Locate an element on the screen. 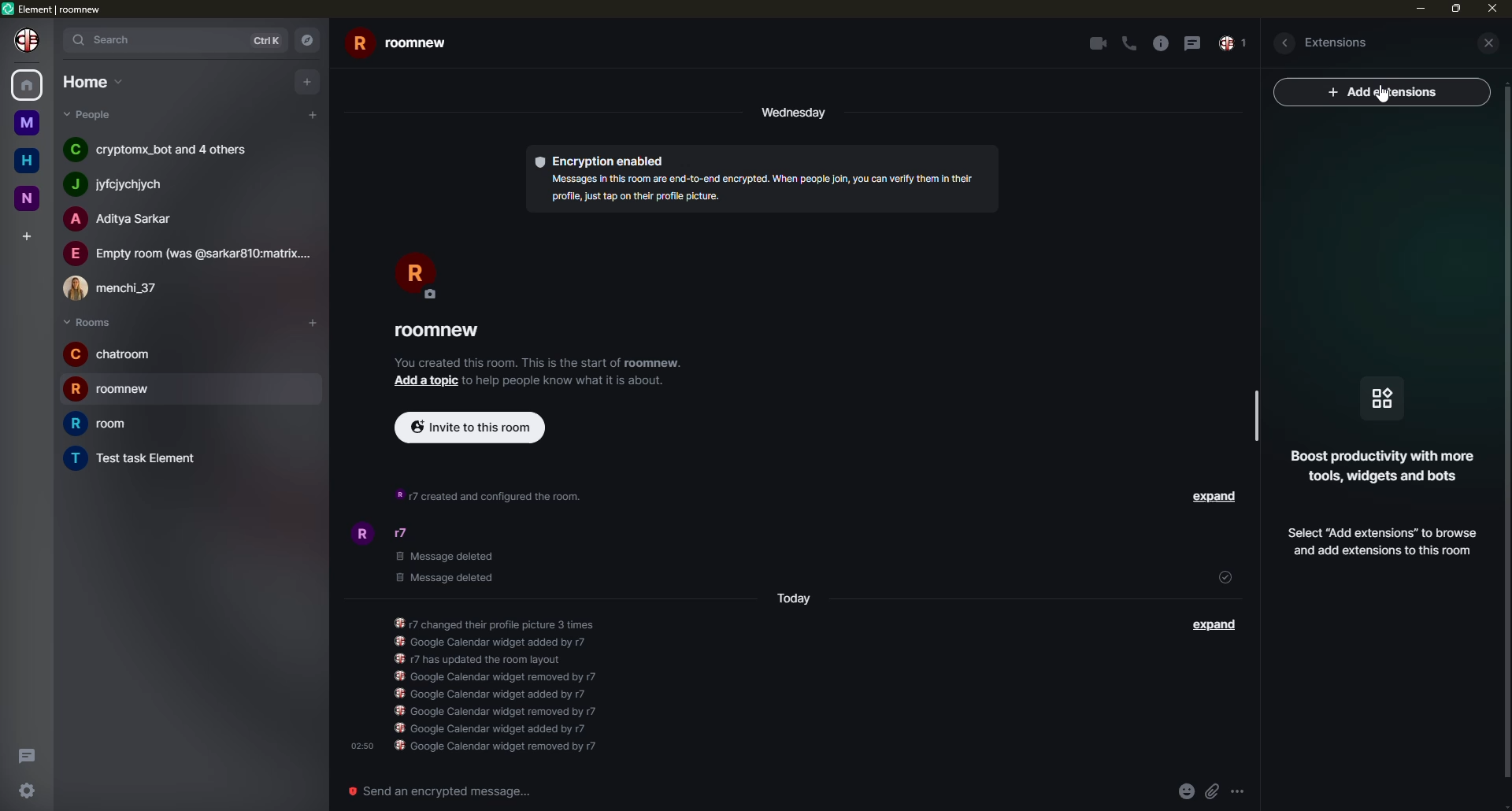 This screenshot has height=811, width=1512. home is located at coordinates (91, 81).